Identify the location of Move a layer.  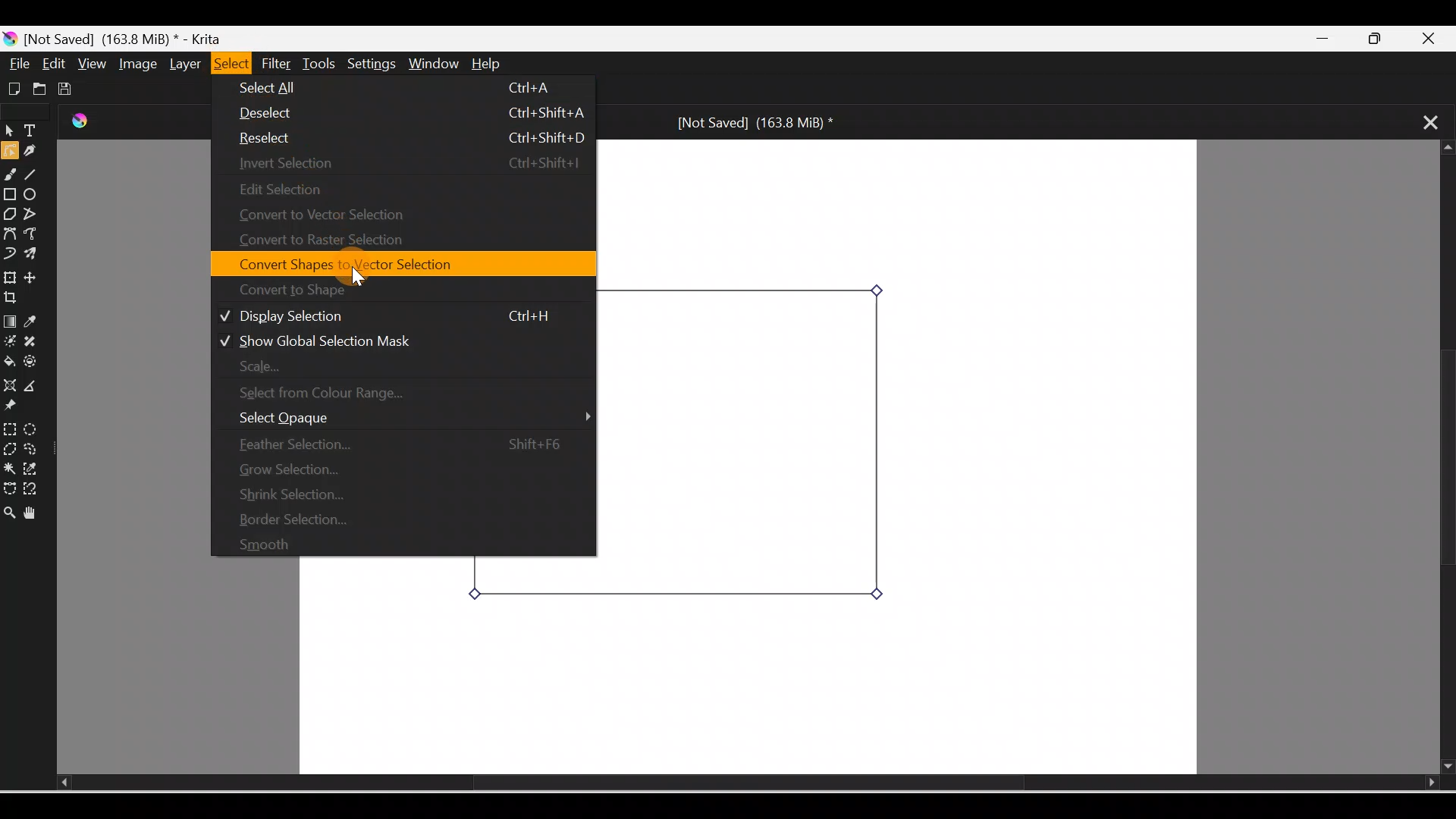
(37, 278).